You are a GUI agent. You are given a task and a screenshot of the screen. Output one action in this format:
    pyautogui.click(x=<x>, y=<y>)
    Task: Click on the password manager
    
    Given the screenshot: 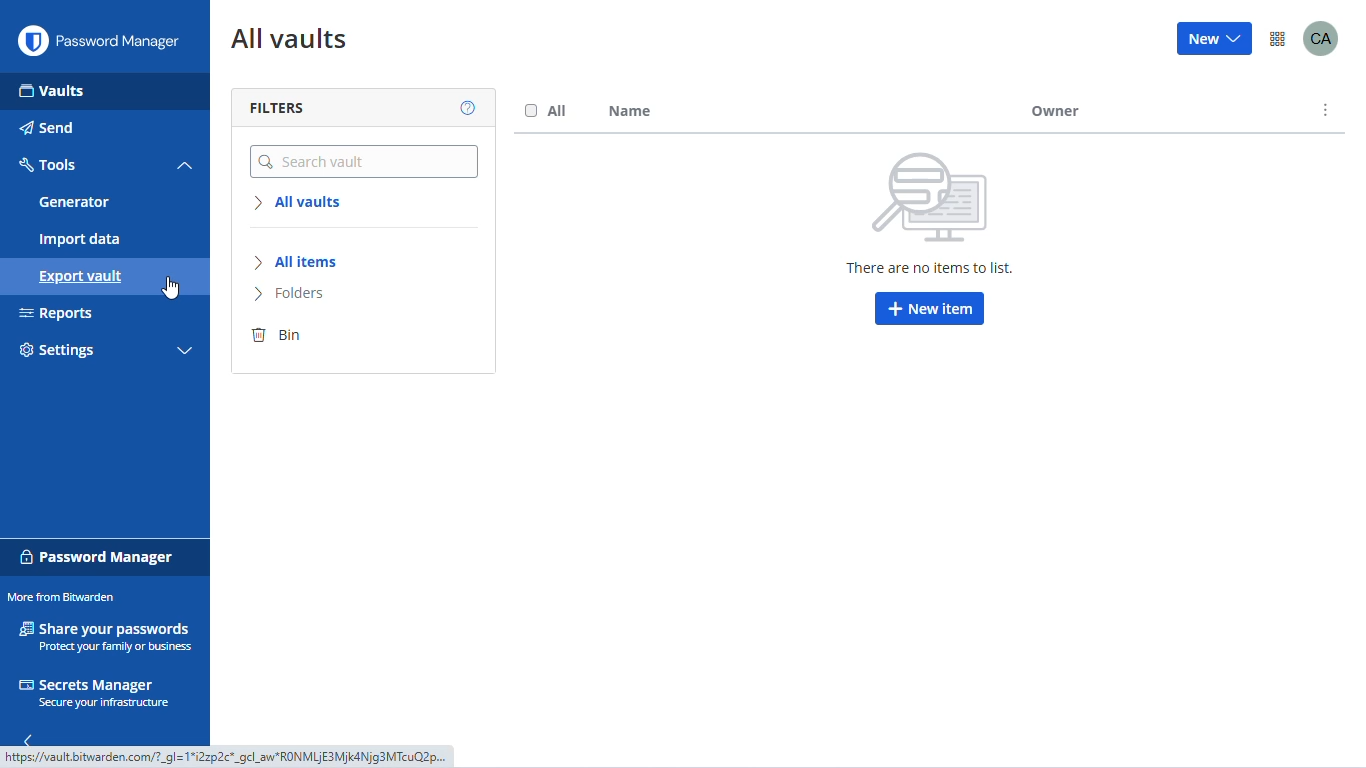 What is the action you would take?
    pyautogui.click(x=98, y=555)
    